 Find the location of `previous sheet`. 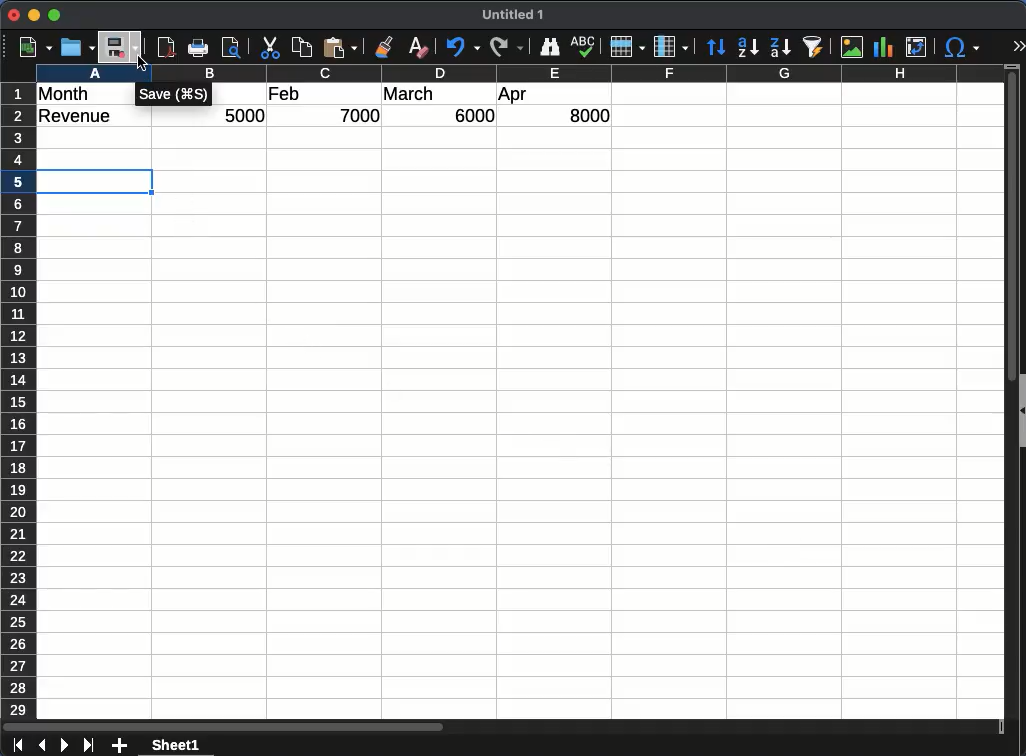

previous sheet is located at coordinates (40, 746).